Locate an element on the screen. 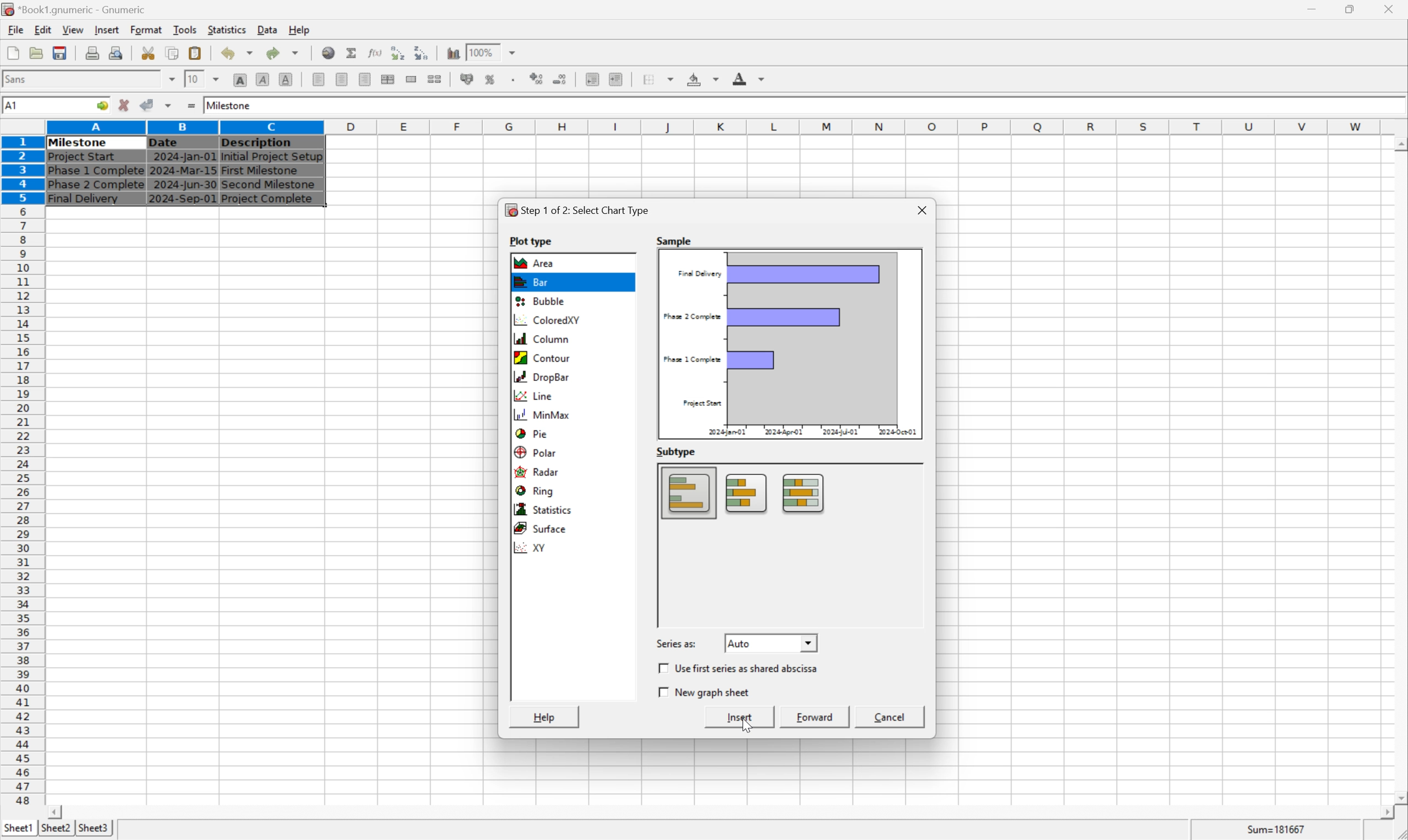 This screenshot has width=1408, height=840. forward is located at coordinates (818, 717).